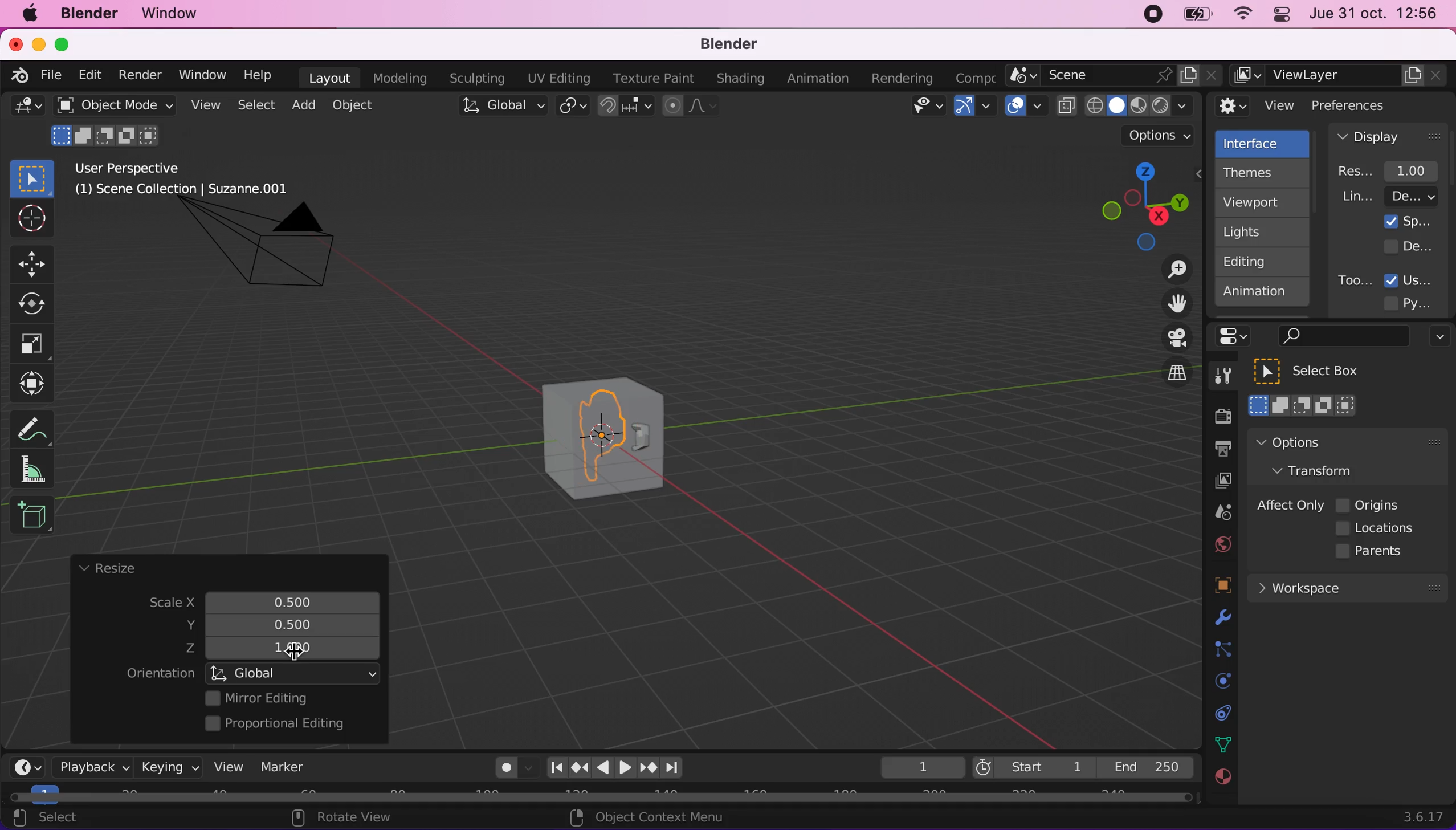 This screenshot has width=1456, height=830. What do you see at coordinates (1114, 76) in the screenshot?
I see `scene` at bounding box center [1114, 76].